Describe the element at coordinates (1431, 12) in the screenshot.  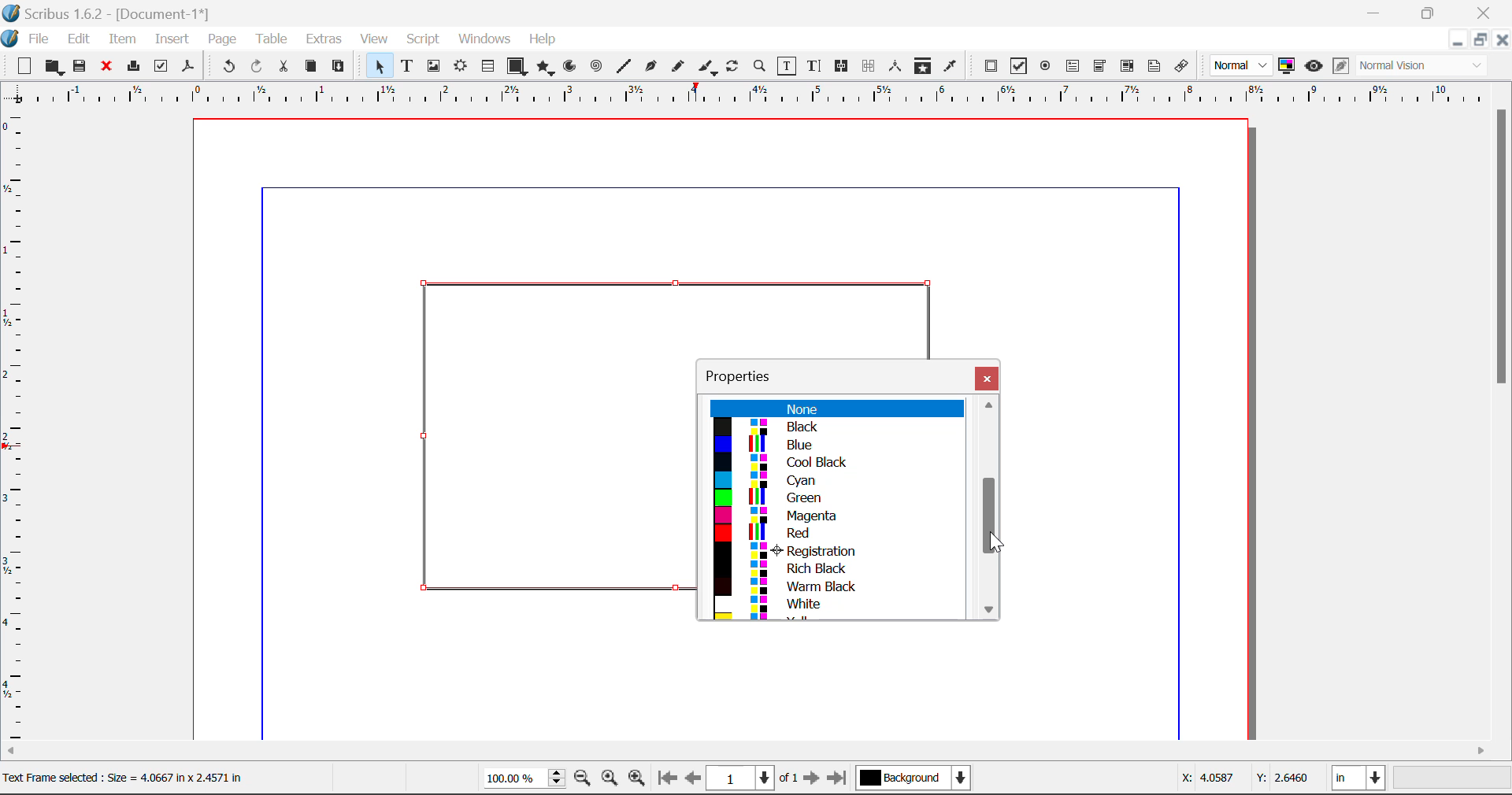
I see `Minimize` at that location.